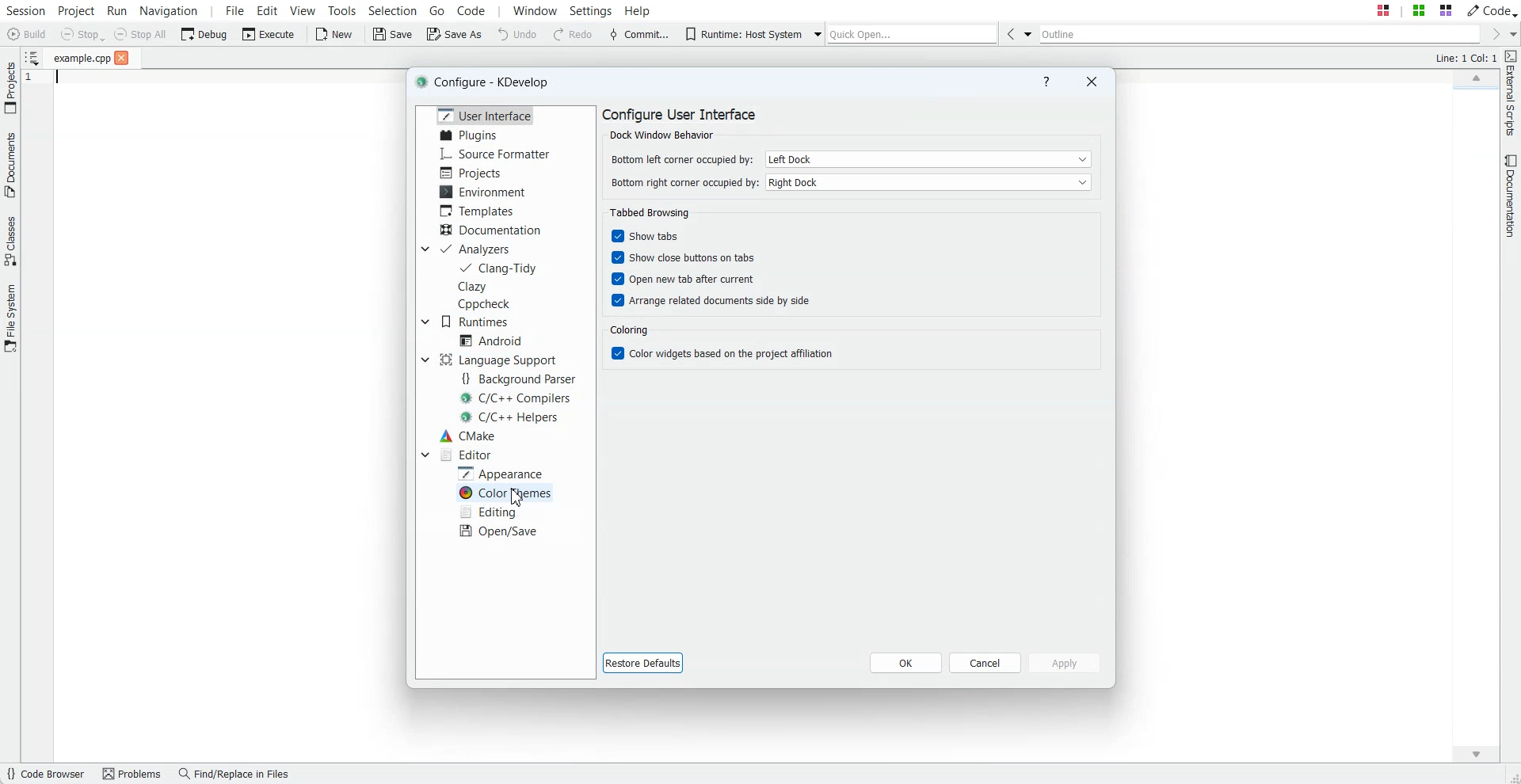 This screenshot has width=1521, height=784. I want to click on Runtimes, so click(480, 322).